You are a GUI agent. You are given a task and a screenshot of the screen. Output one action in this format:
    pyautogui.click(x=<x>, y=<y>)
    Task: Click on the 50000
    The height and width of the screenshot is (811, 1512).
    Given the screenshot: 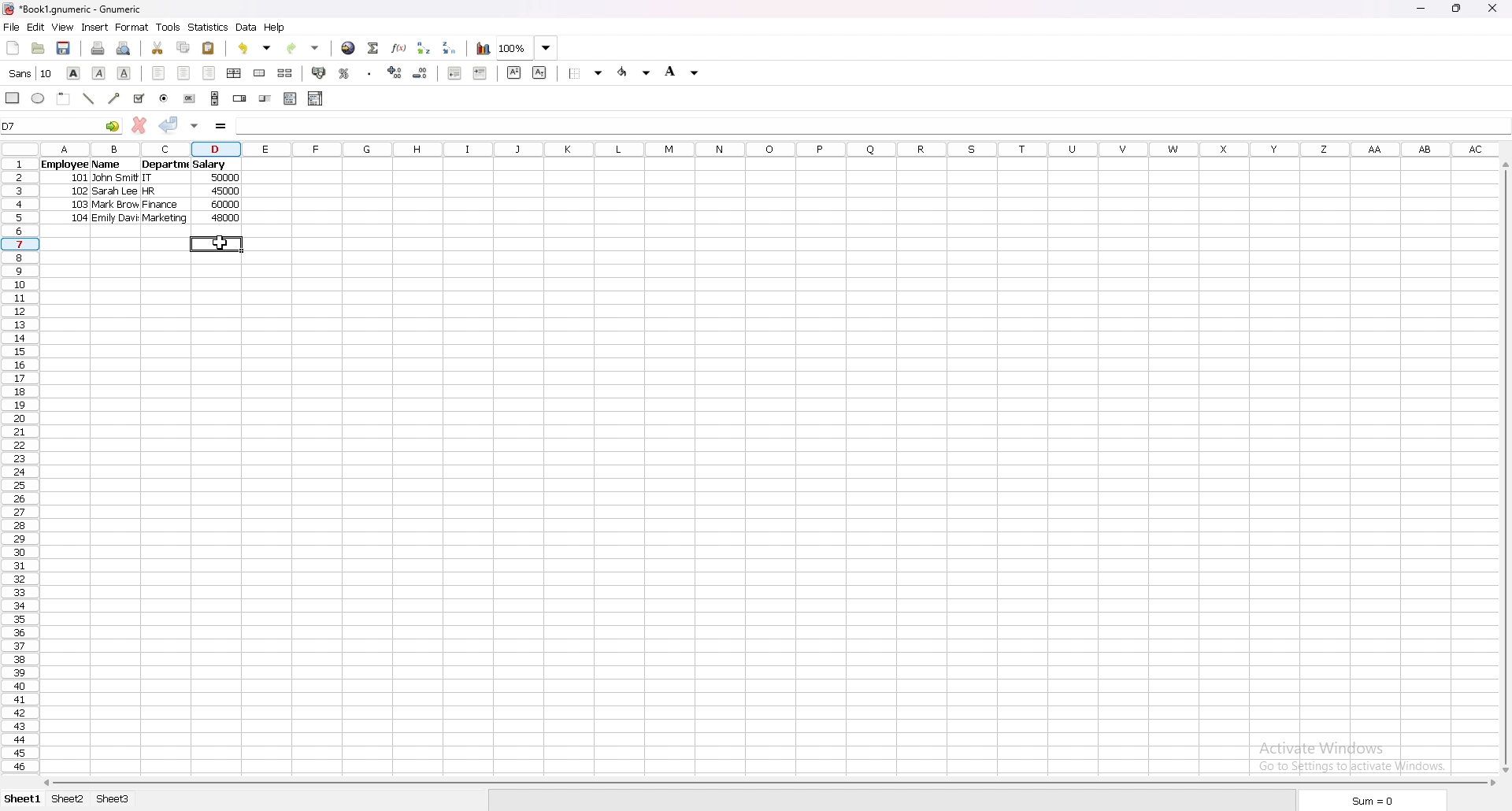 What is the action you would take?
    pyautogui.click(x=225, y=179)
    